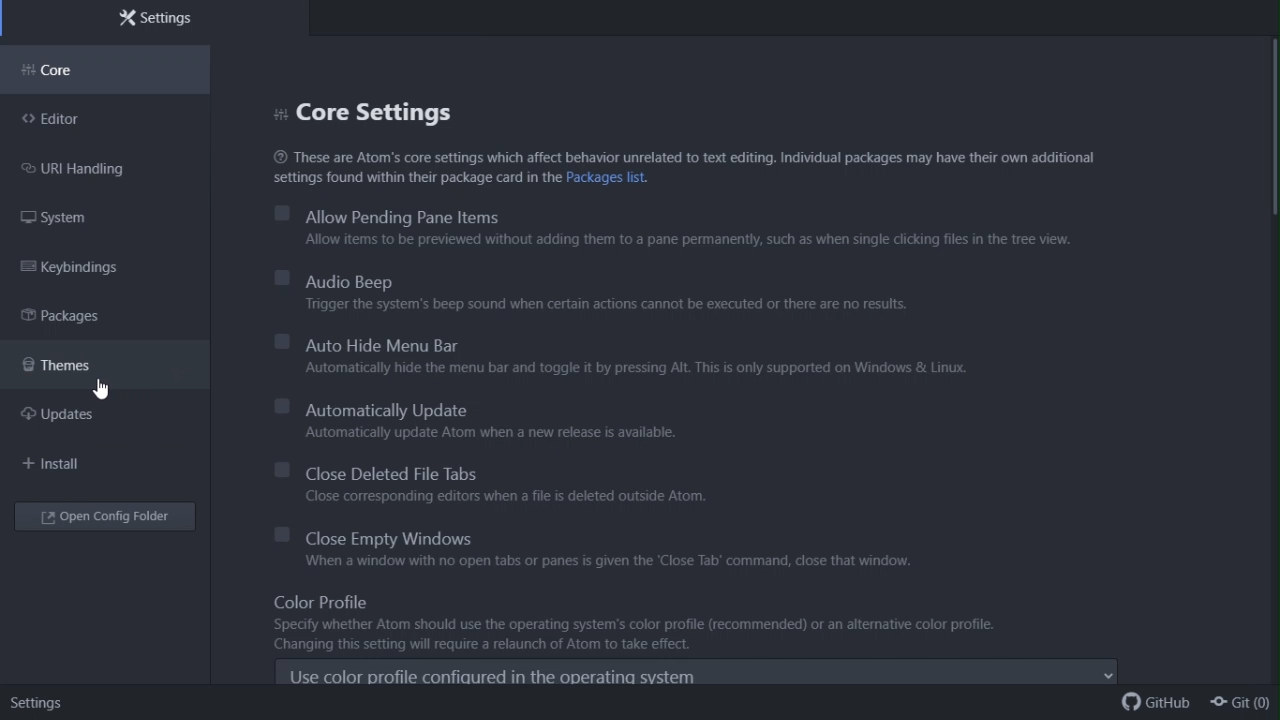 The image size is (1280, 720). I want to click on Key binding, so click(75, 269).